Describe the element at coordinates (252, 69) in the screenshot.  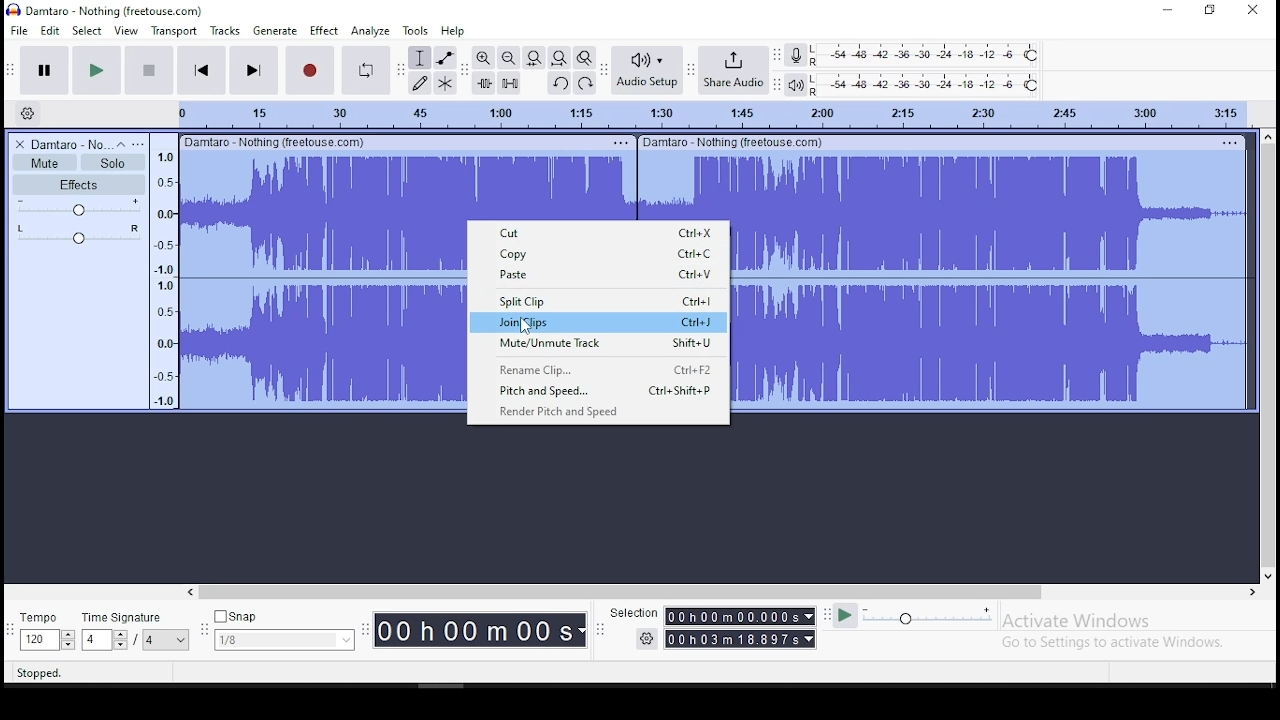
I see `skip to end` at that location.